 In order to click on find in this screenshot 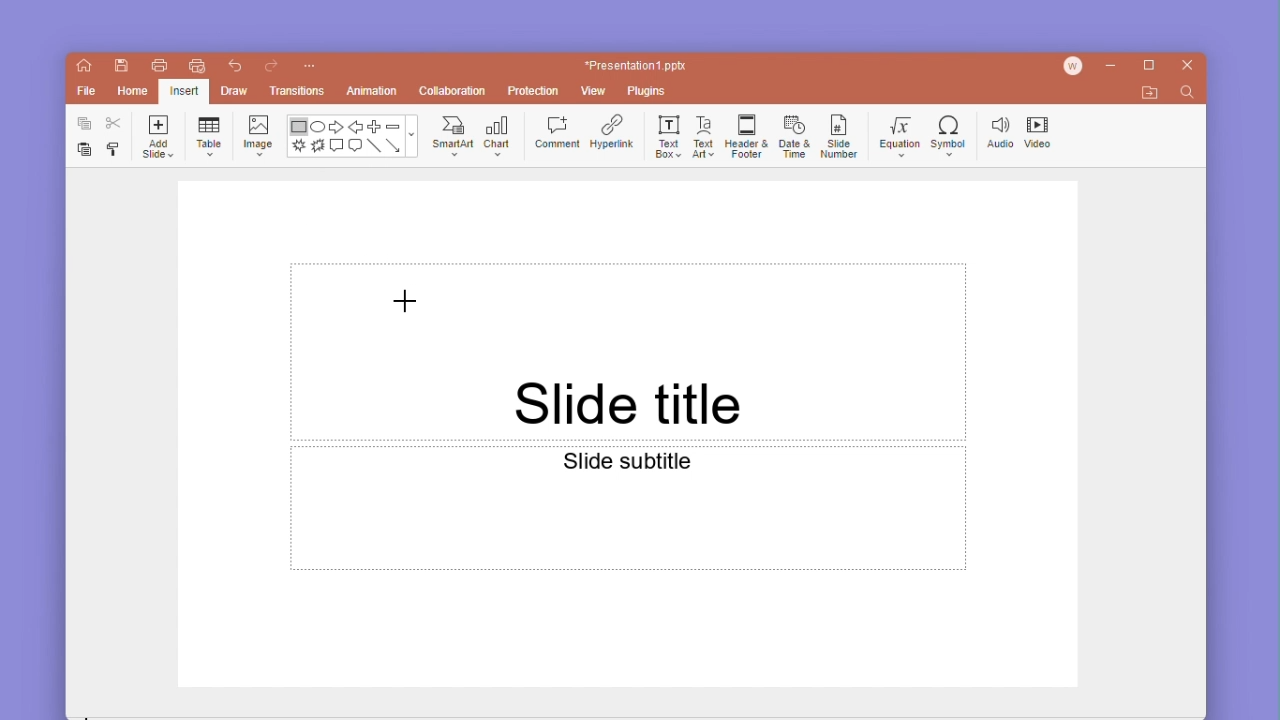, I will do `click(1189, 95)`.